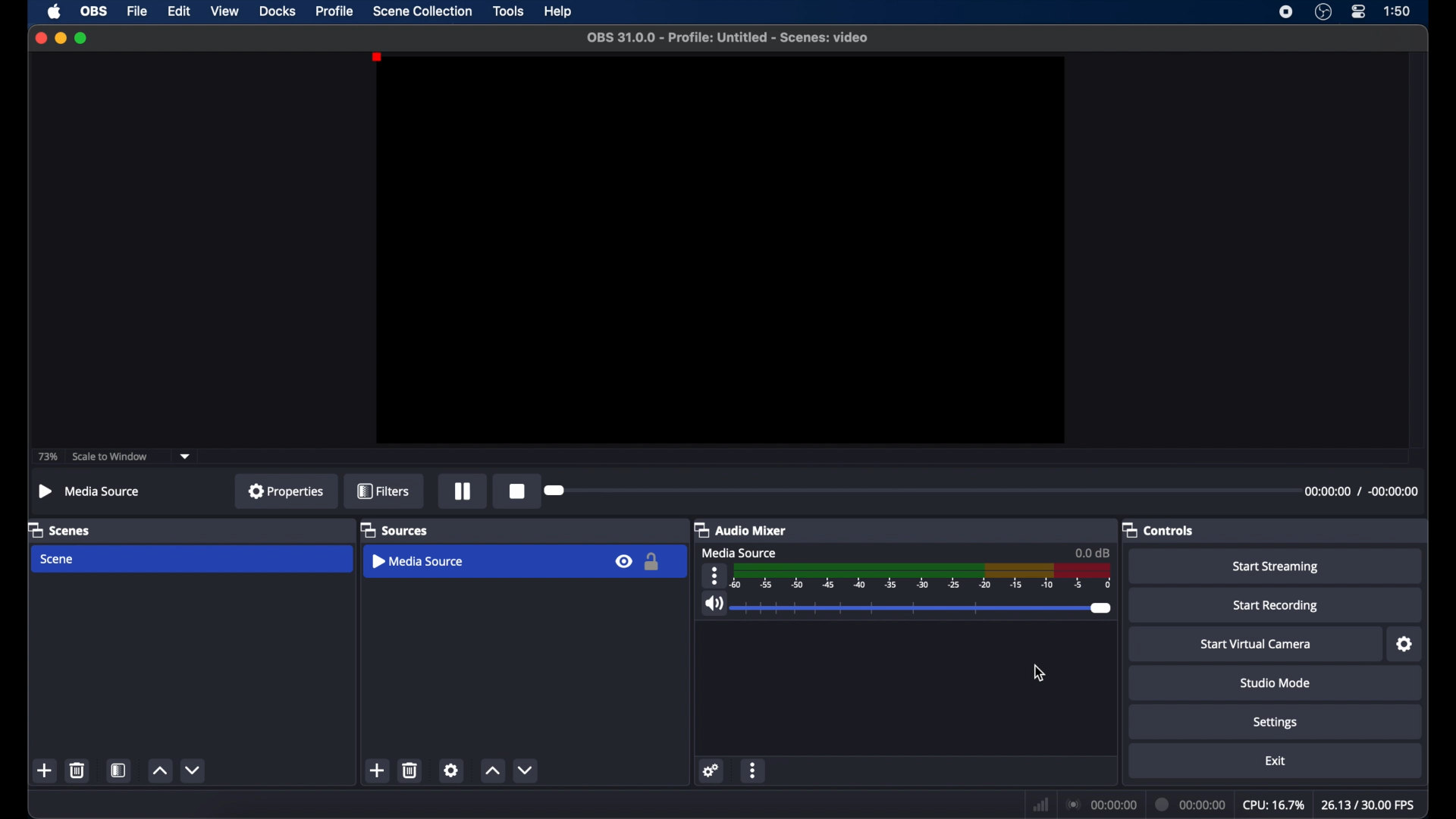 The height and width of the screenshot is (819, 1456). What do you see at coordinates (54, 12) in the screenshot?
I see `apple icon` at bounding box center [54, 12].